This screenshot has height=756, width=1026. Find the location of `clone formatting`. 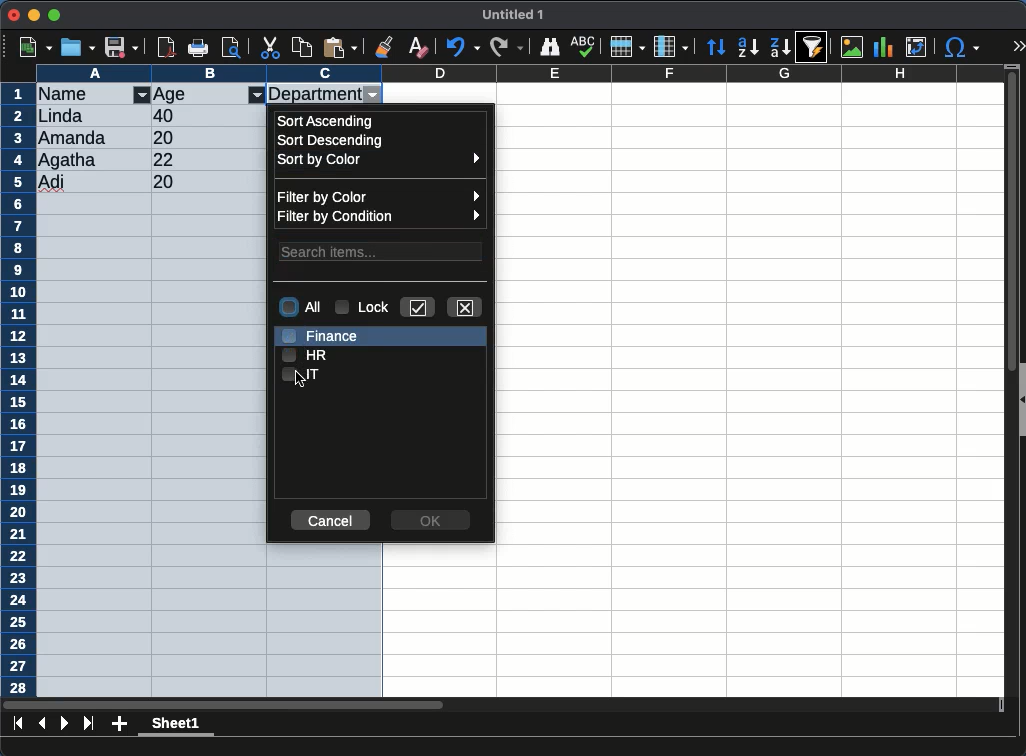

clone formatting is located at coordinates (386, 46).